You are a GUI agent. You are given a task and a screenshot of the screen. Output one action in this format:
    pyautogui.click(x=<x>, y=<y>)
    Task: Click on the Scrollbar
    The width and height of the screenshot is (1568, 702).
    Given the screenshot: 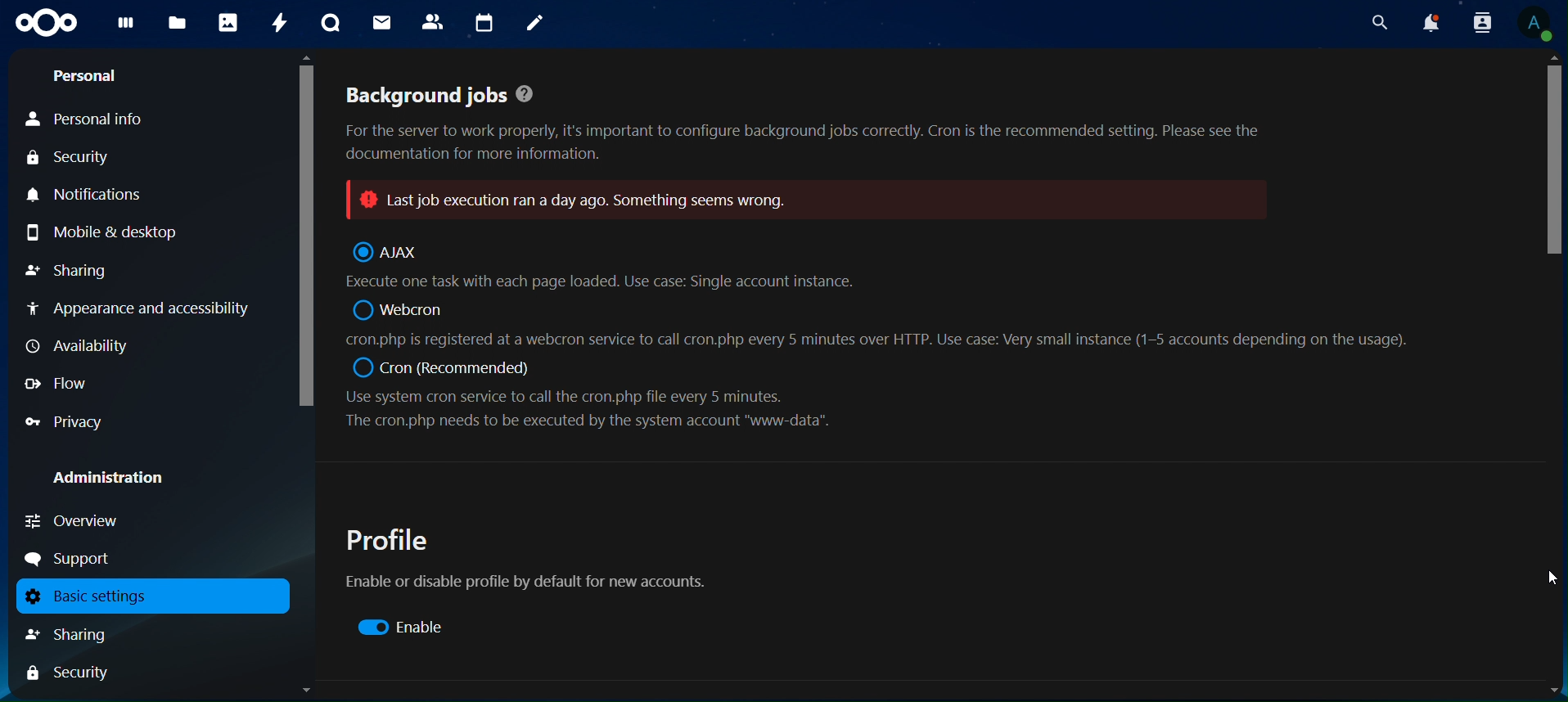 What is the action you would take?
    pyautogui.click(x=1554, y=373)
    